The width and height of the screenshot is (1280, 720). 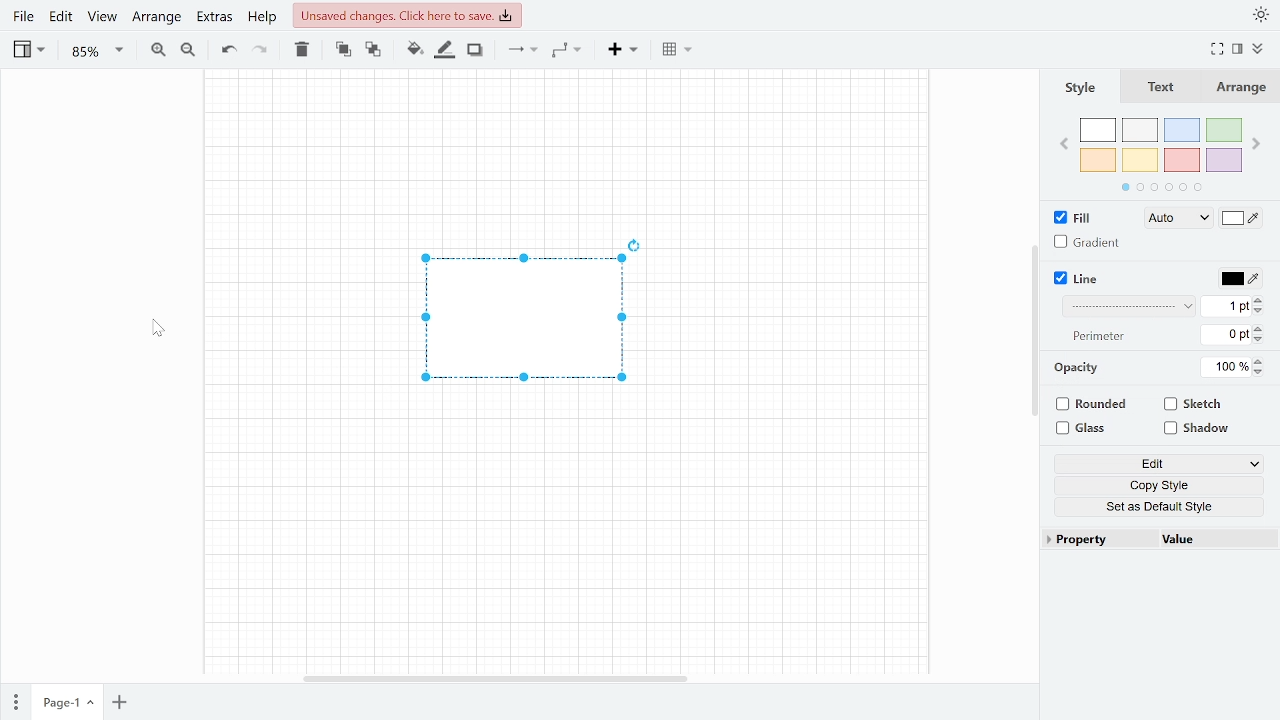 I want to click on Increase perimeter, so click(x=1261, y=327).